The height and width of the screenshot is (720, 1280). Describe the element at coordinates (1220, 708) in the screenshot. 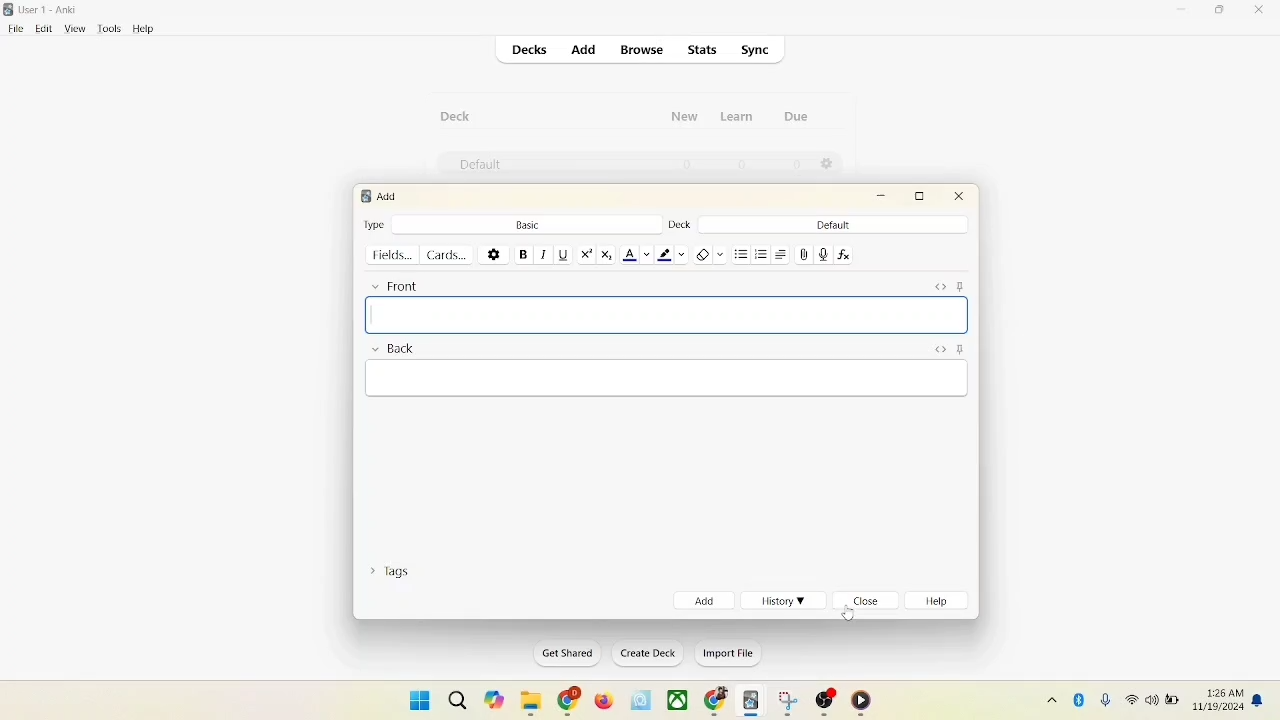

I see `date` at that location.